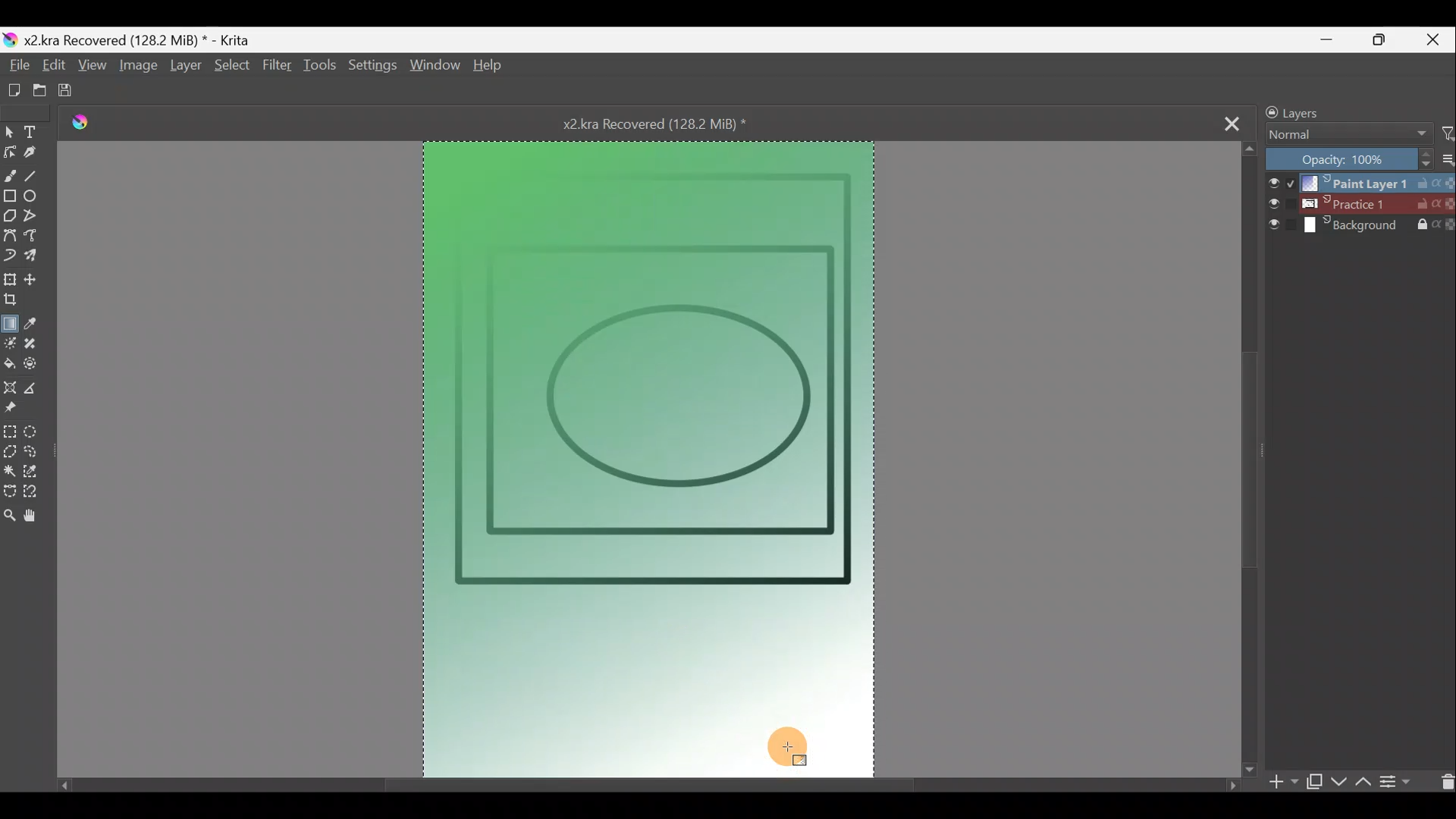 This screenshot has height=819, width=1456. Describe the element at coordinates (36, 345) in the screenshot. I see `Smart patch tool` at that location.